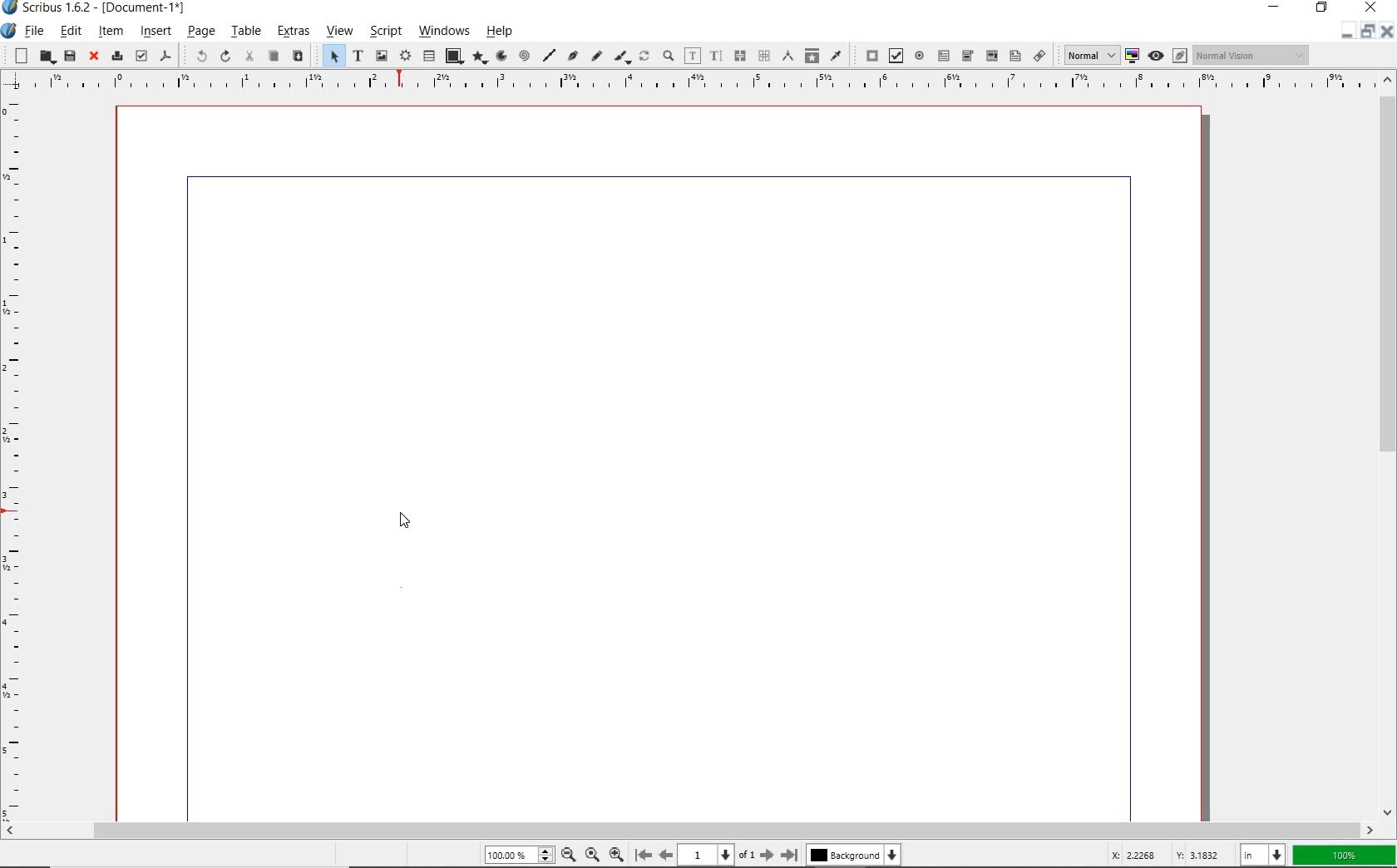 The height and width of the screenshot is (868, 1397). Describe the element at coordinates (1088, 55) in the screenshot. I see `normal` at that location.